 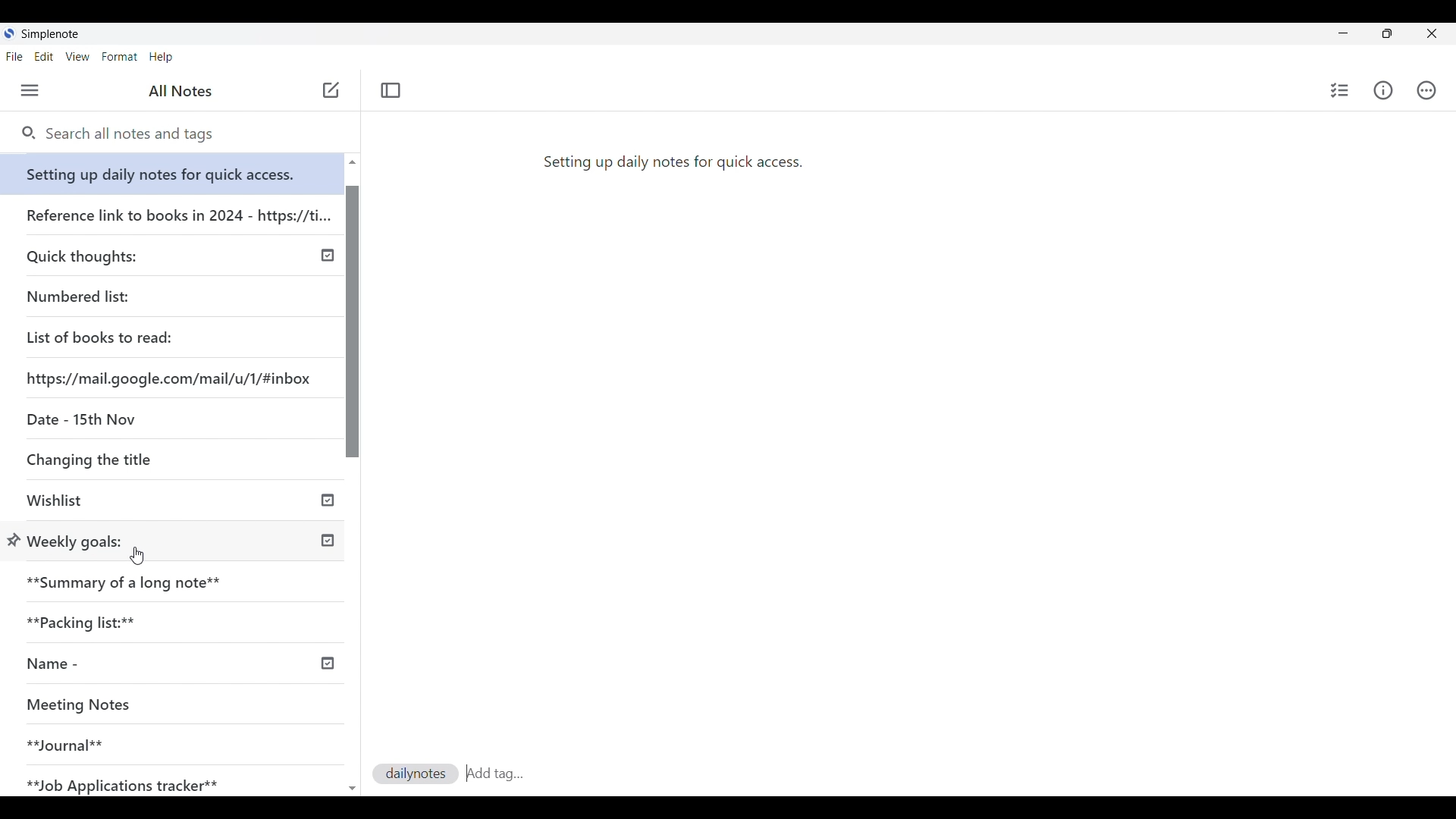 What do you see at coordinates (14, 57) in the screenshot?
I see `File menu` at bounding box center [14, 57].